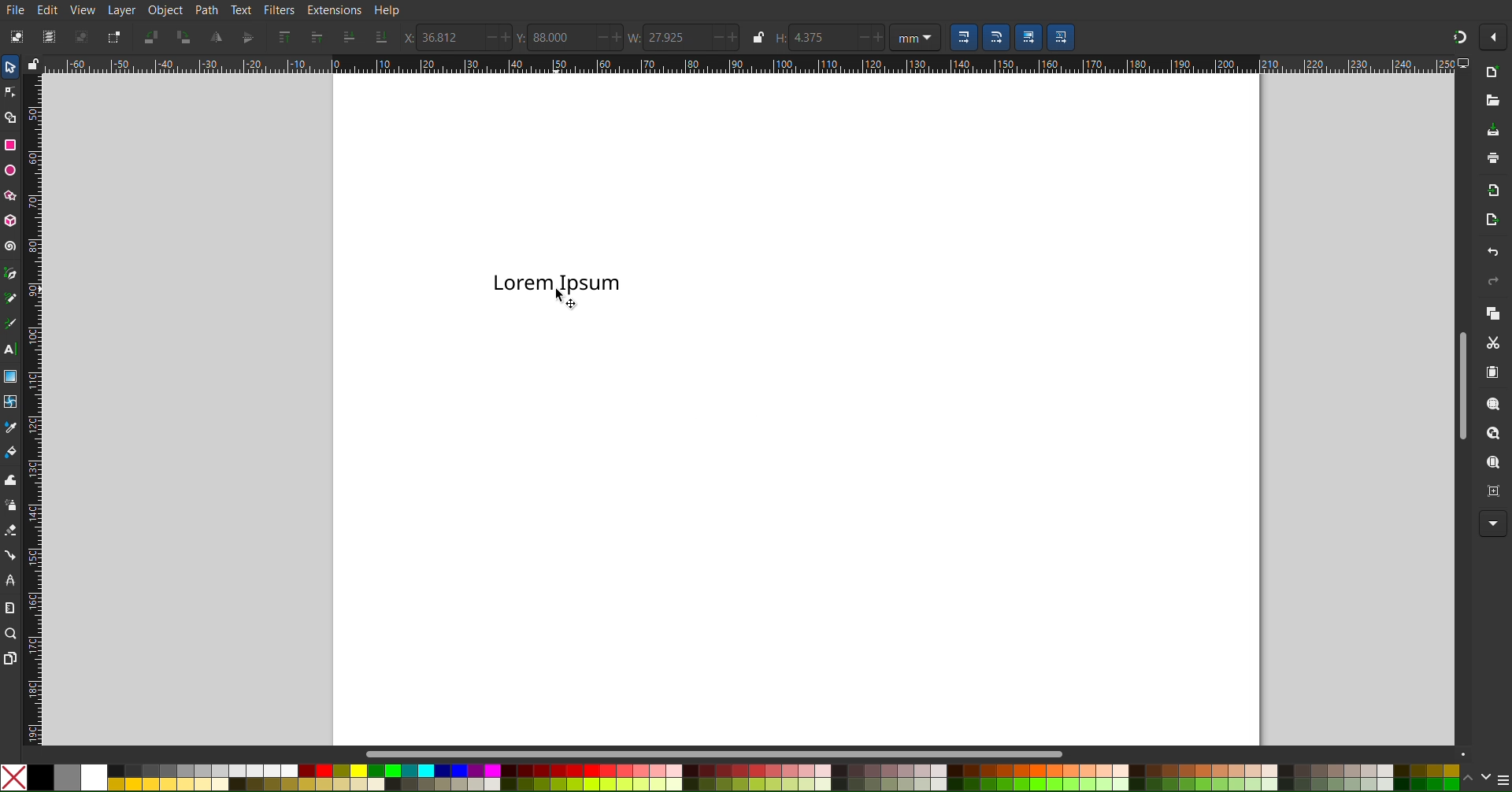  What do you see at coordinates (449, 37) in the screenshot?
I see `36` at bounding box center [449, 37].